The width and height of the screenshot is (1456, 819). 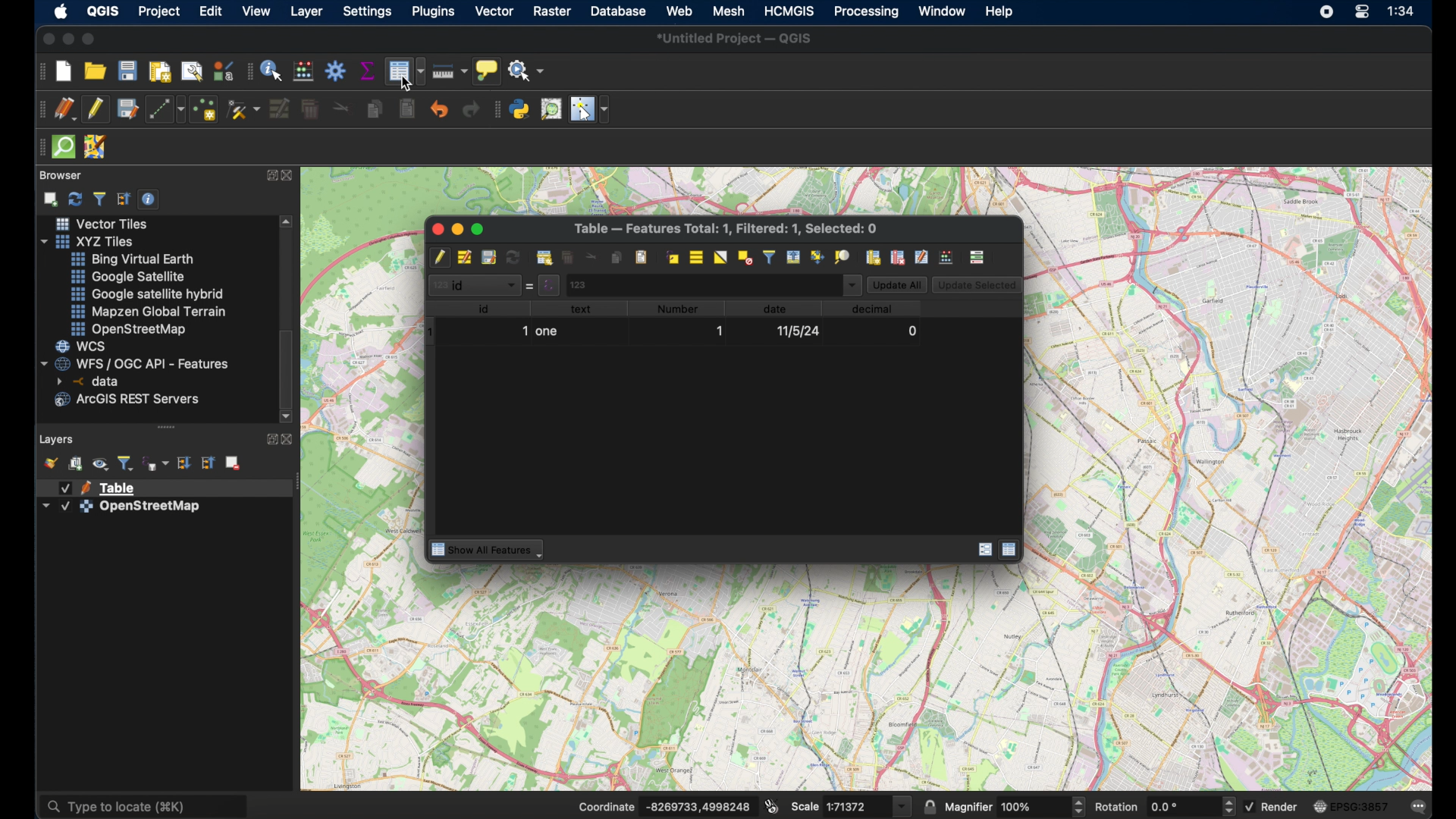 What do you see at coordinates (184, 463) in the screenshot?
I see `expand all` at bounding box center [184, 463].